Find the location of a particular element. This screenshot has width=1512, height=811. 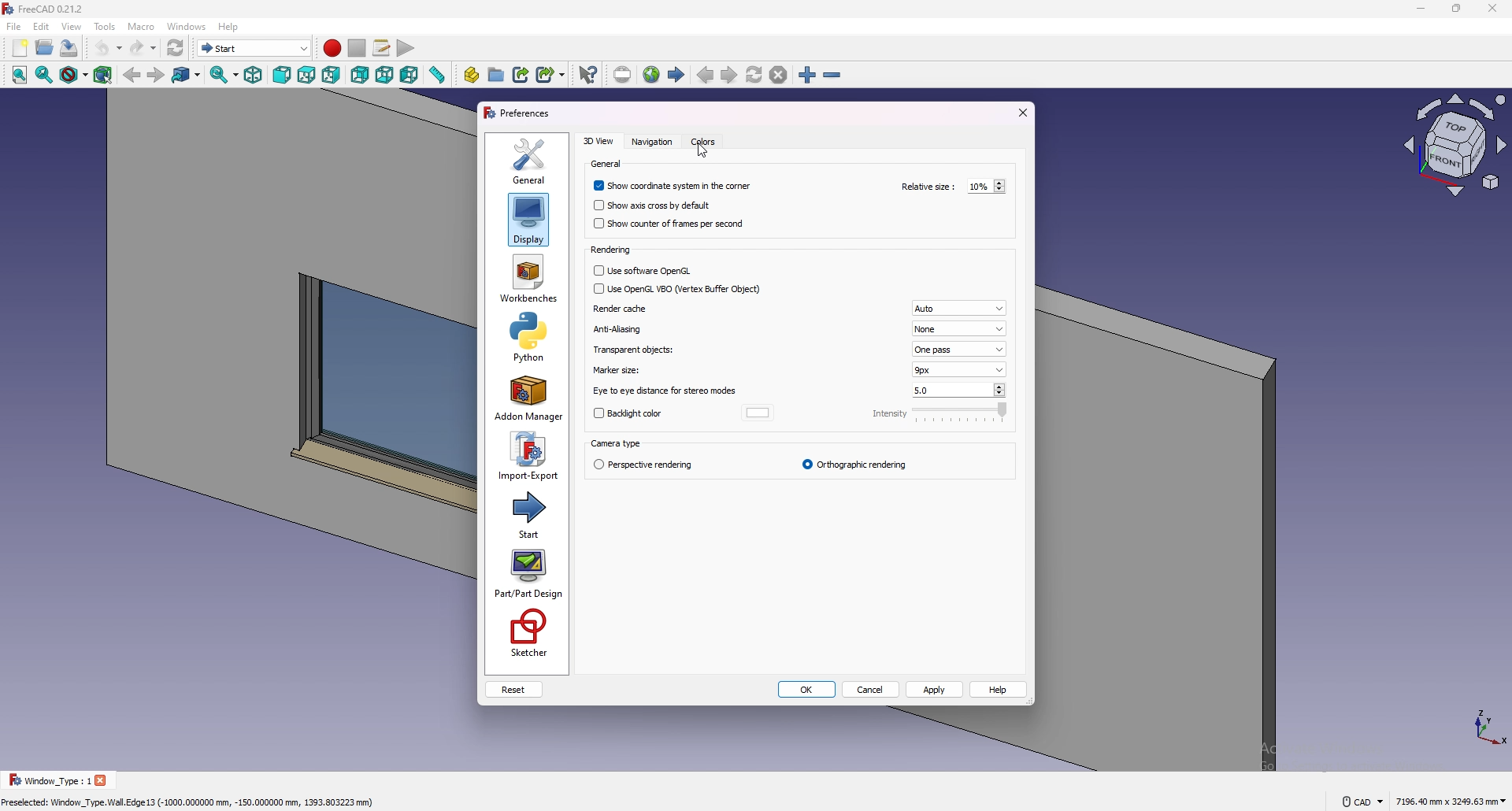

stop loading is located at coordinates (779, 76).